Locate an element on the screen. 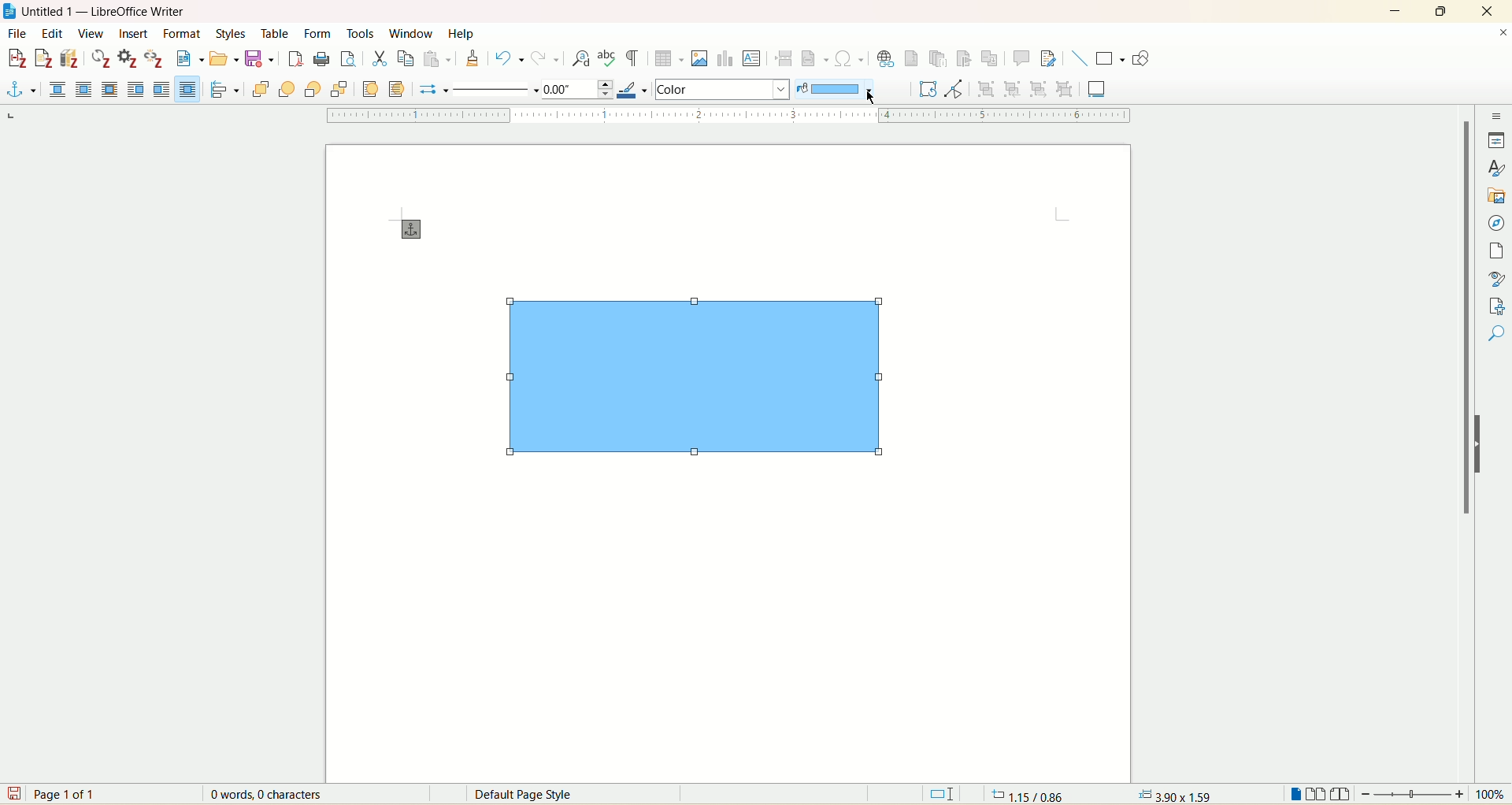  view is located at coordinates (91, 33).